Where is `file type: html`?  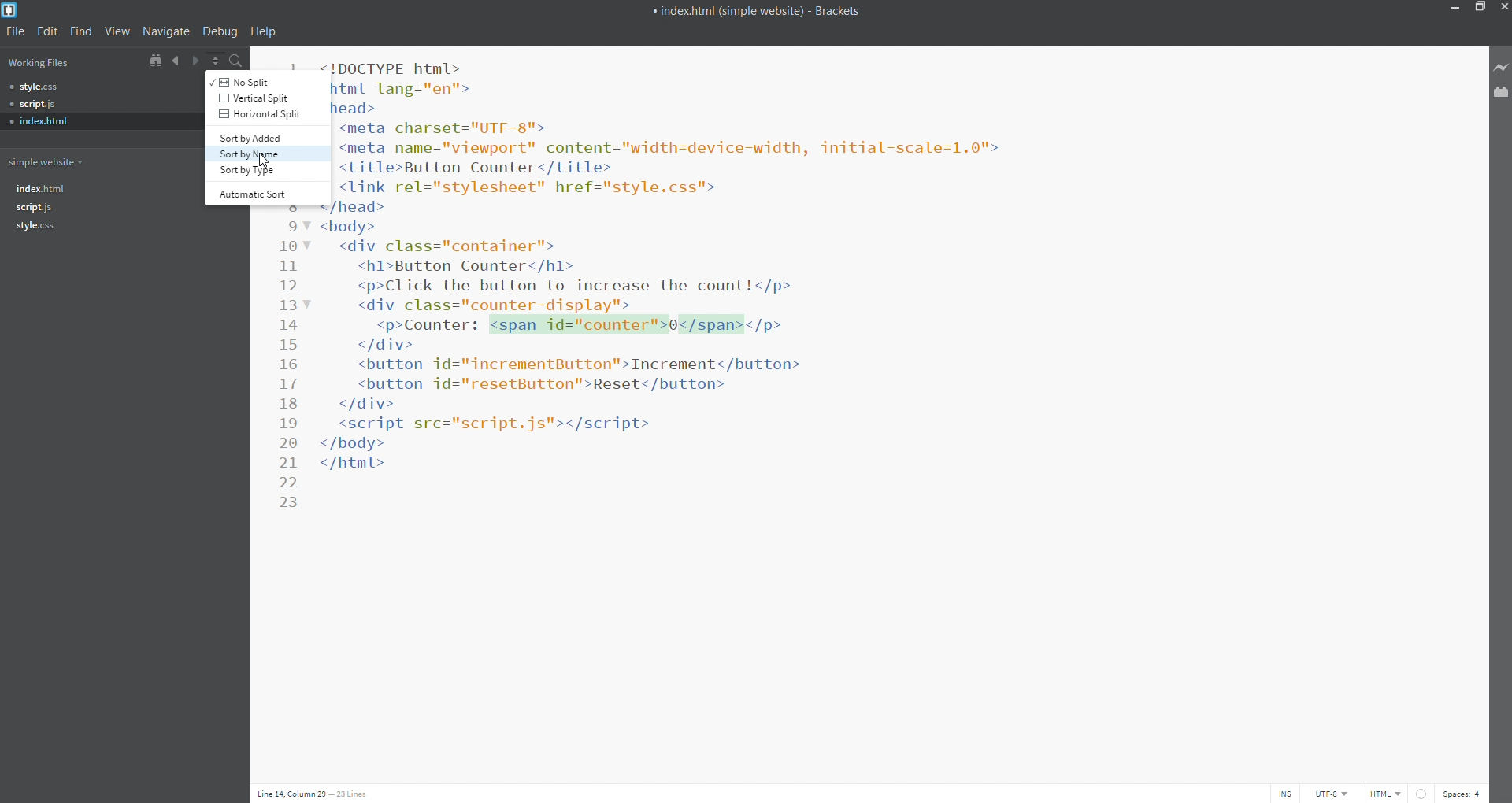
file type: html is located at coordinates (1386, 793).